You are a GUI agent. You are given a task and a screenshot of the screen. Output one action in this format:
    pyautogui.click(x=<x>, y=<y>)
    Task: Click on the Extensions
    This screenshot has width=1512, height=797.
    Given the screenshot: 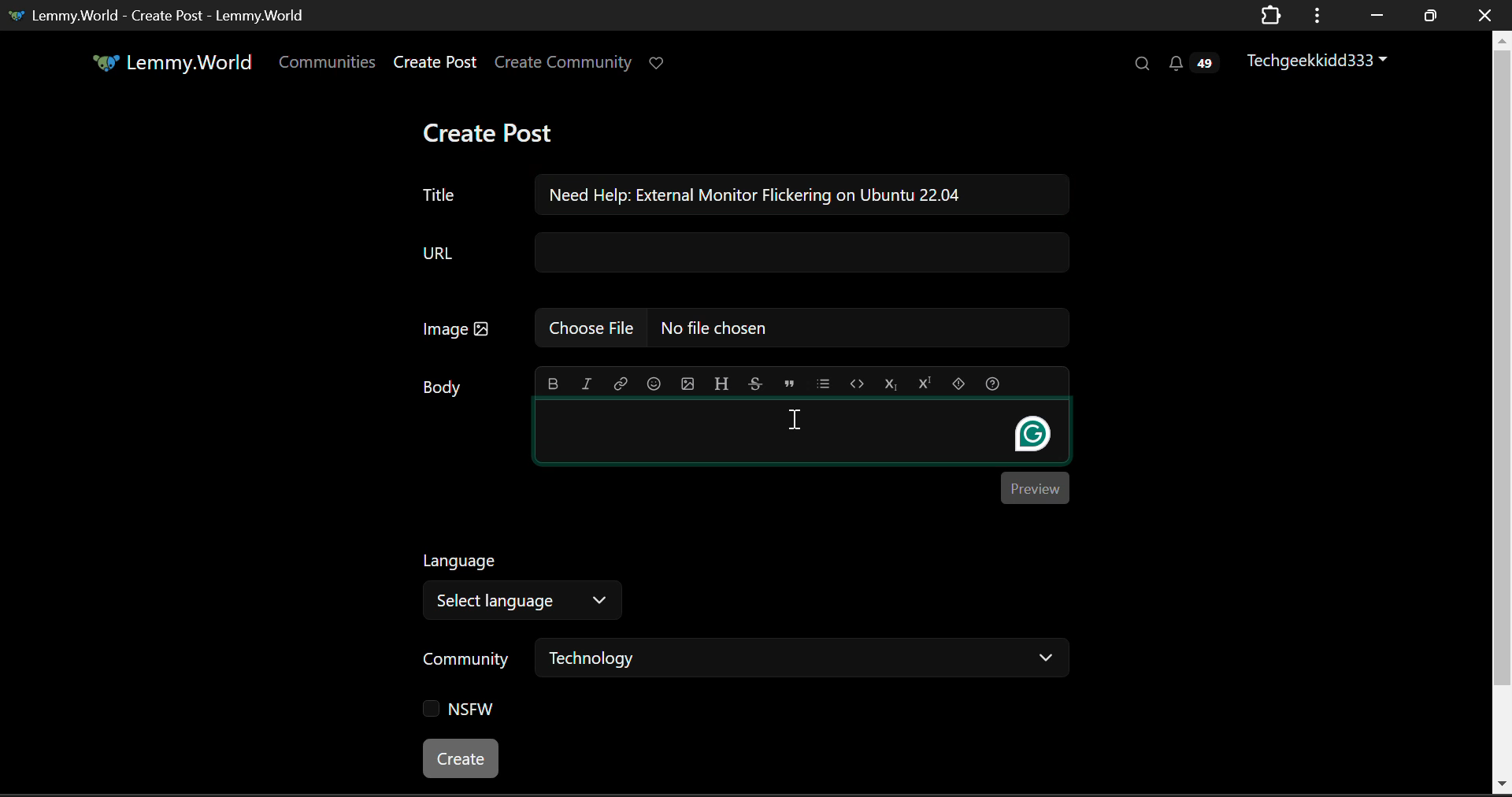 What is the action you would take?
    pyautogui.click(x=1271, y=17)
    